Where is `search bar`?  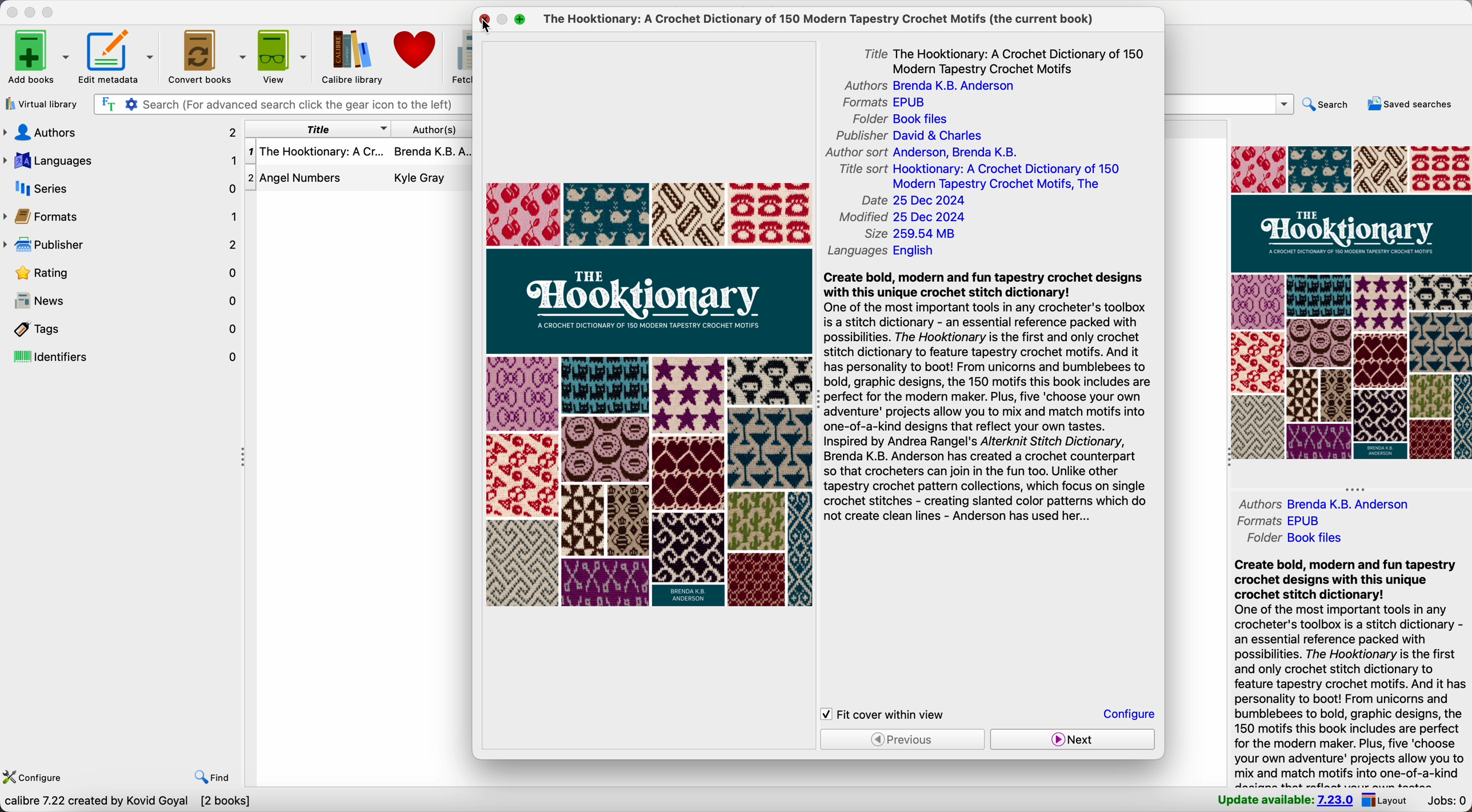
search bar is located at coordinates (1230, 104).